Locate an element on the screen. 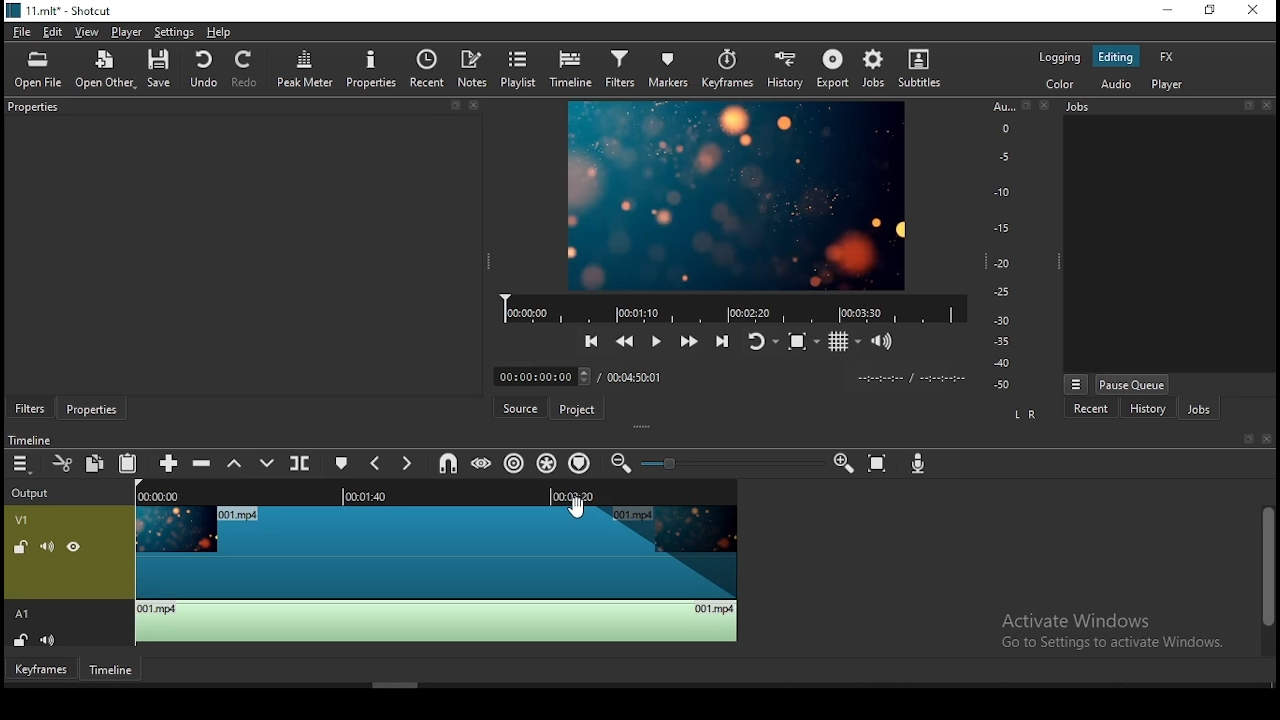 The height and width of the screenshot is (720, 1280). keyframes is located at coordinates (727, 65).